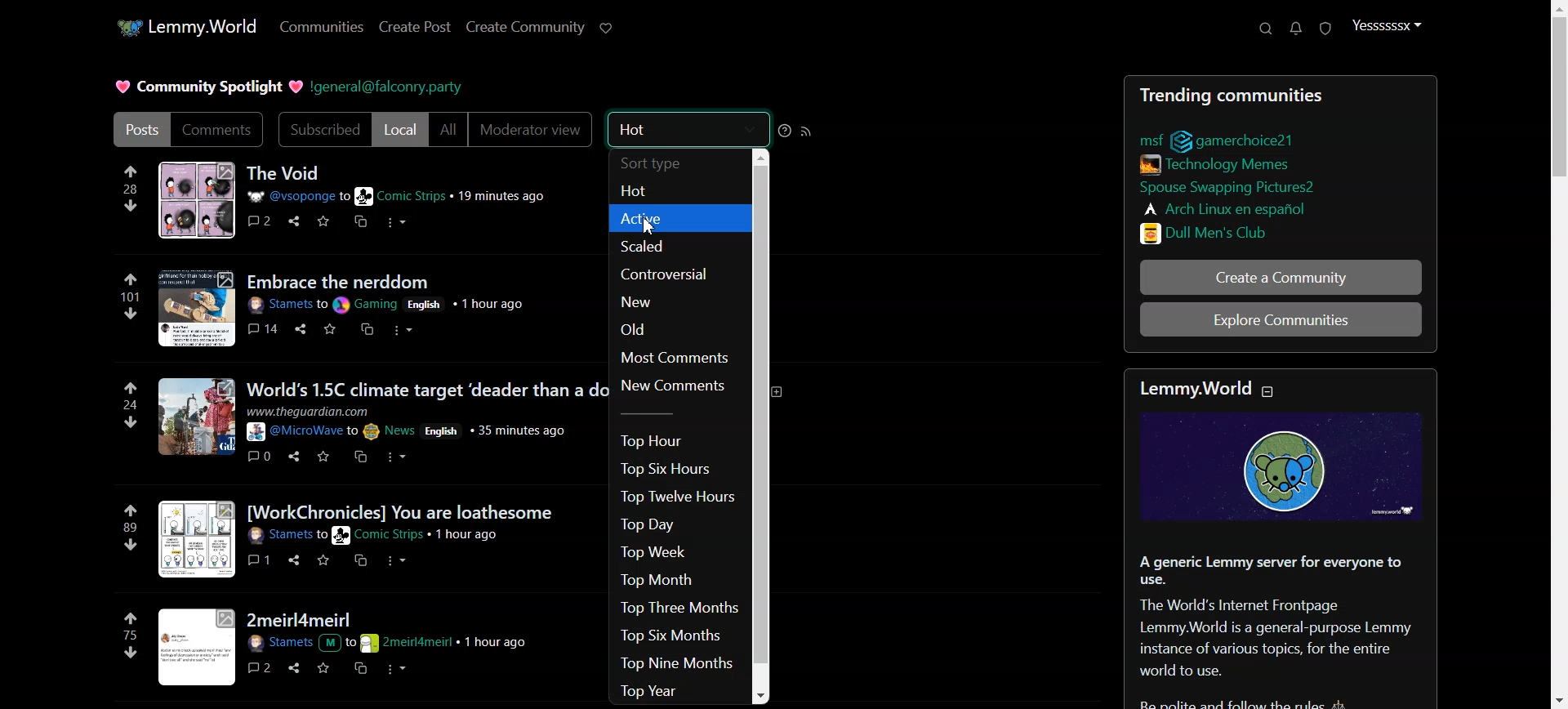 This screenshot has width=1568, height=709. Describe the element at coordinates (1266, 29) in the screenshot. I see `Search` at that location.